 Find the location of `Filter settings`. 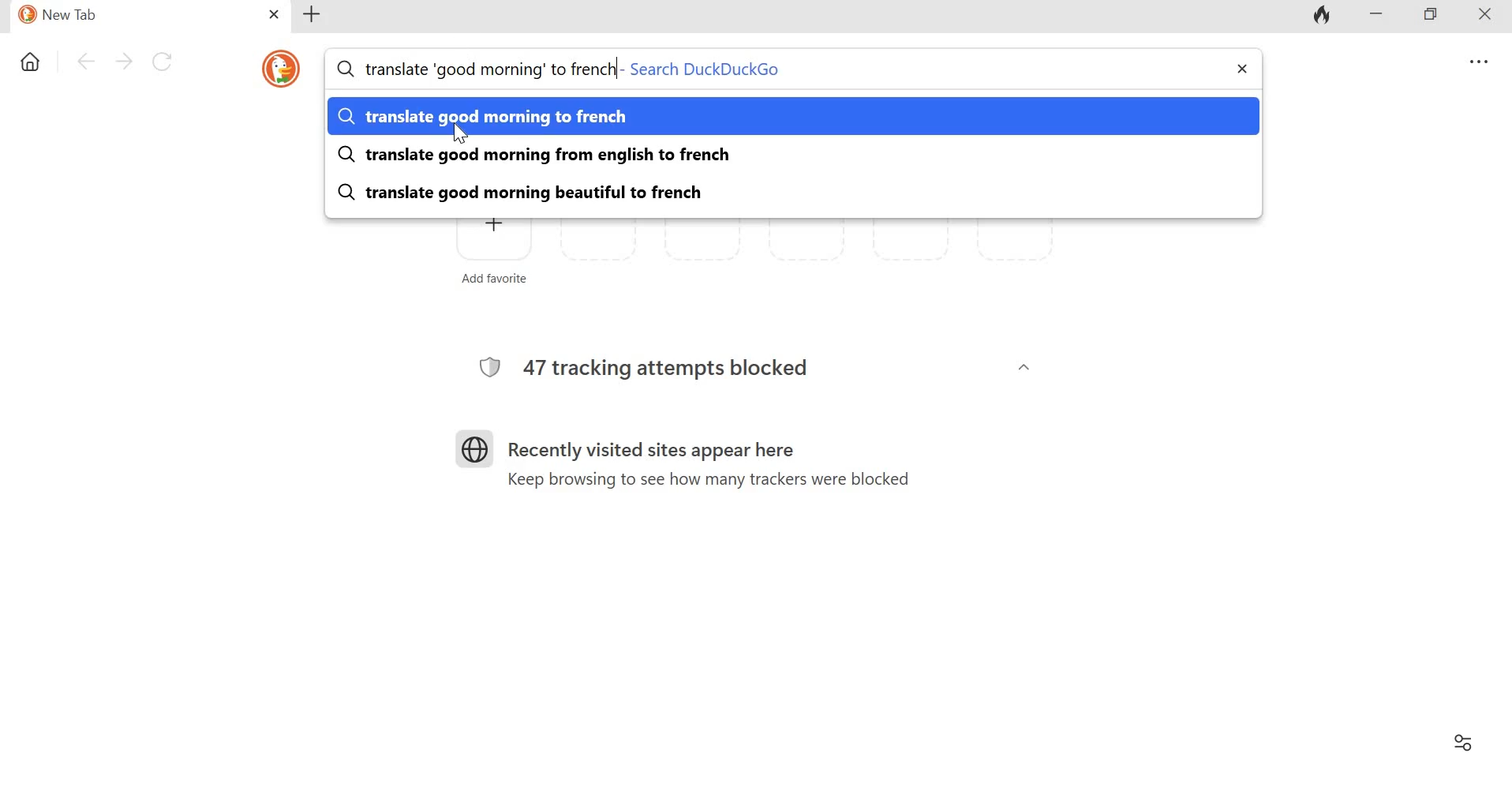

Filter settings is located at coordinates (1466, 742).